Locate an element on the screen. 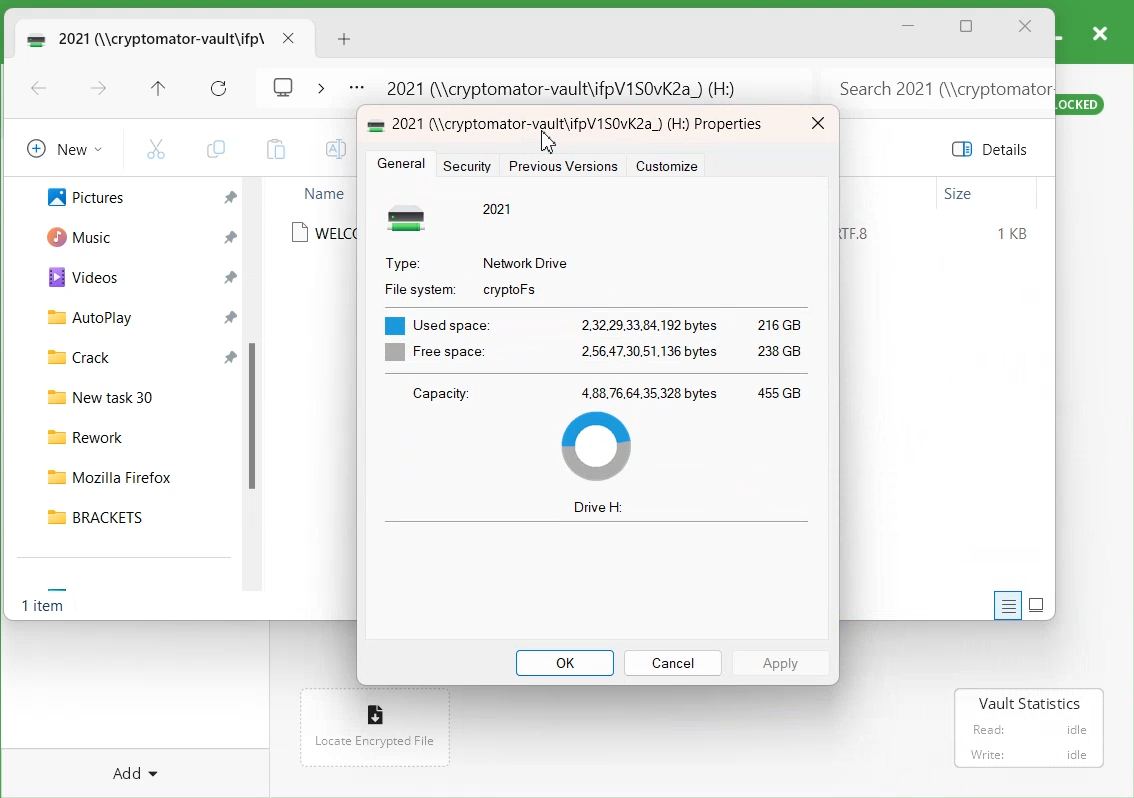 The height and width of the screenshot is (798, 1134). Piechart is located at coordinates (596, 446).